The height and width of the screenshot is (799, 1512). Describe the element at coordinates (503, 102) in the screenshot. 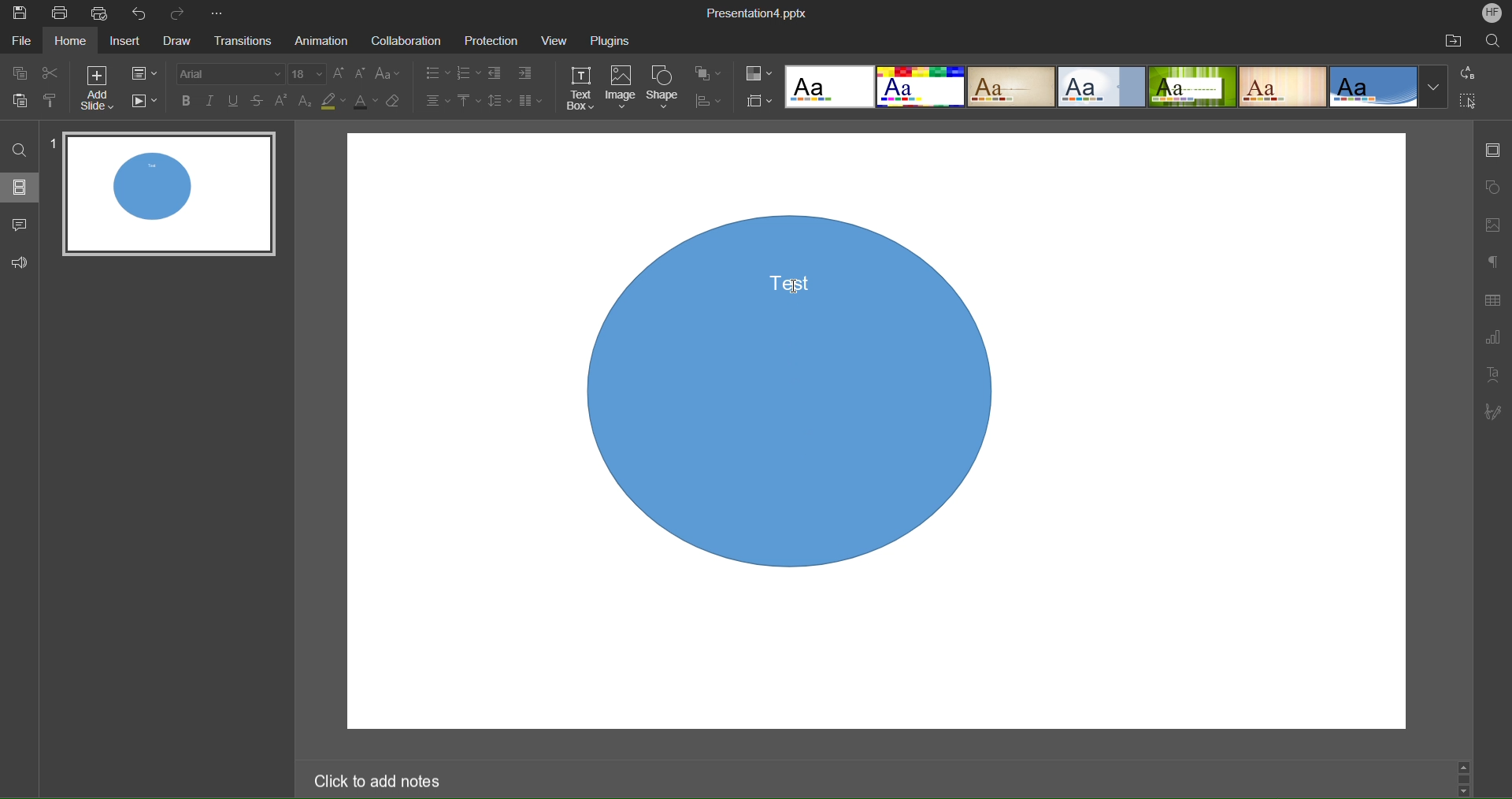

I see `Line Spacing` at that location.